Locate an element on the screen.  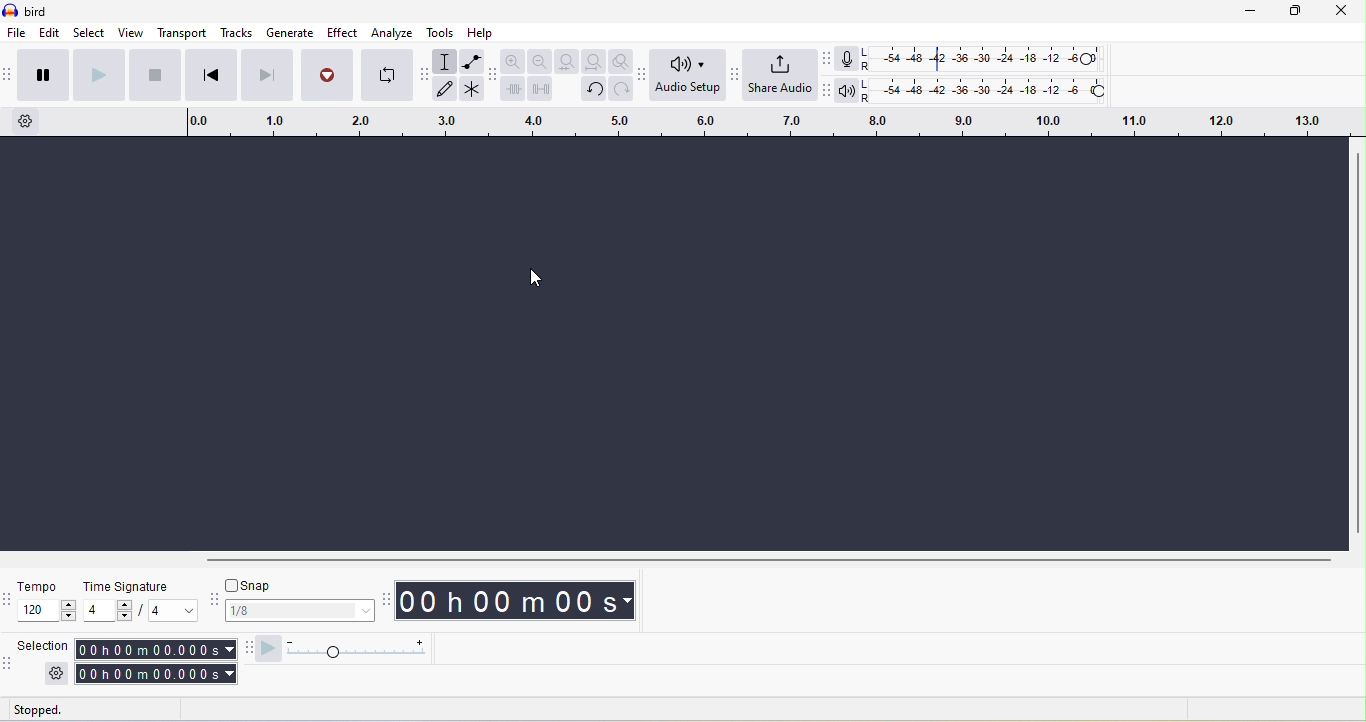
audacity play at speed toolbar is located at coordinates (269, 648).